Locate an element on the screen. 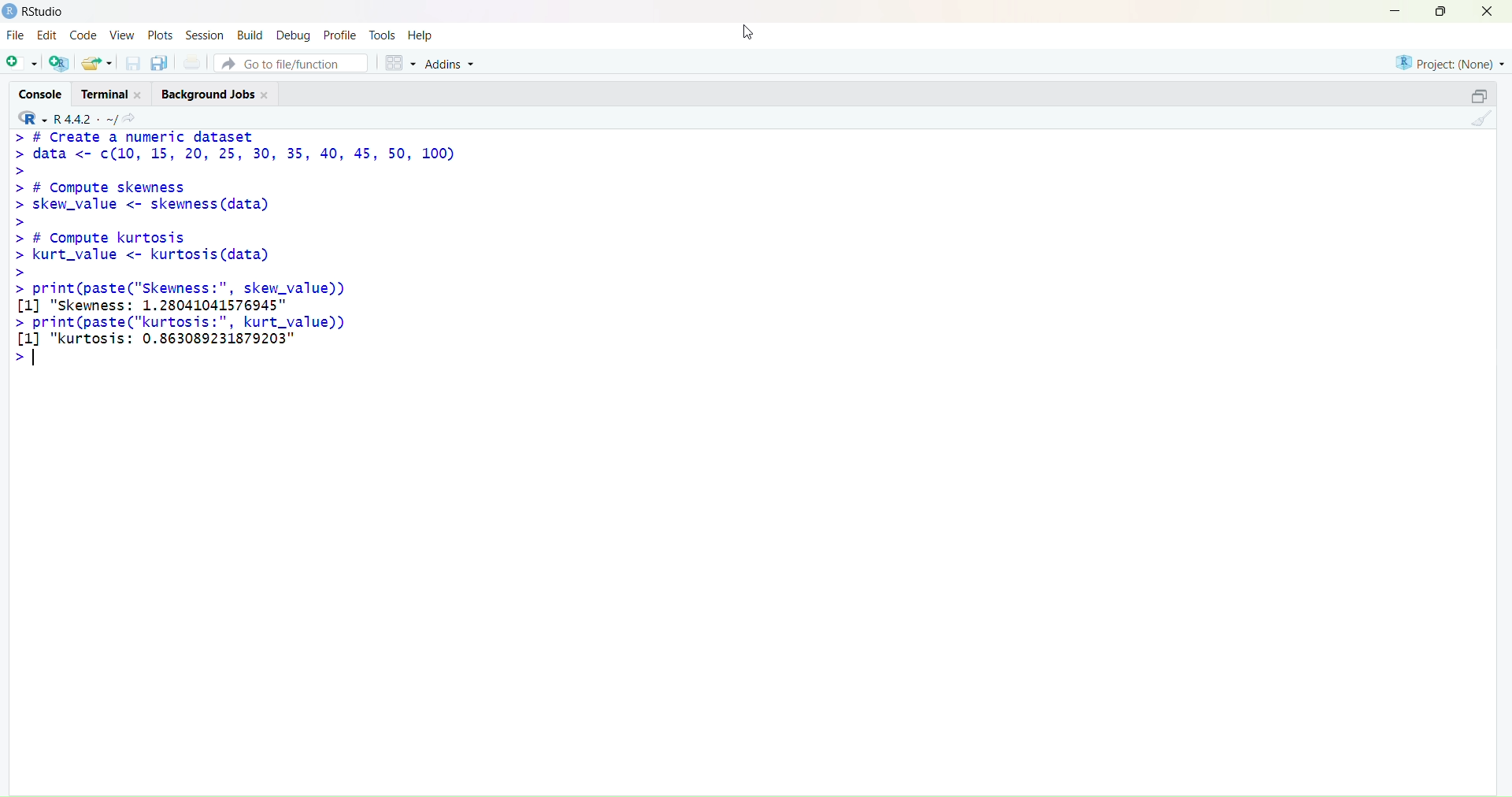 This screenshot has height=797, width=1512. Cursor is located at coordinates (749, 32).